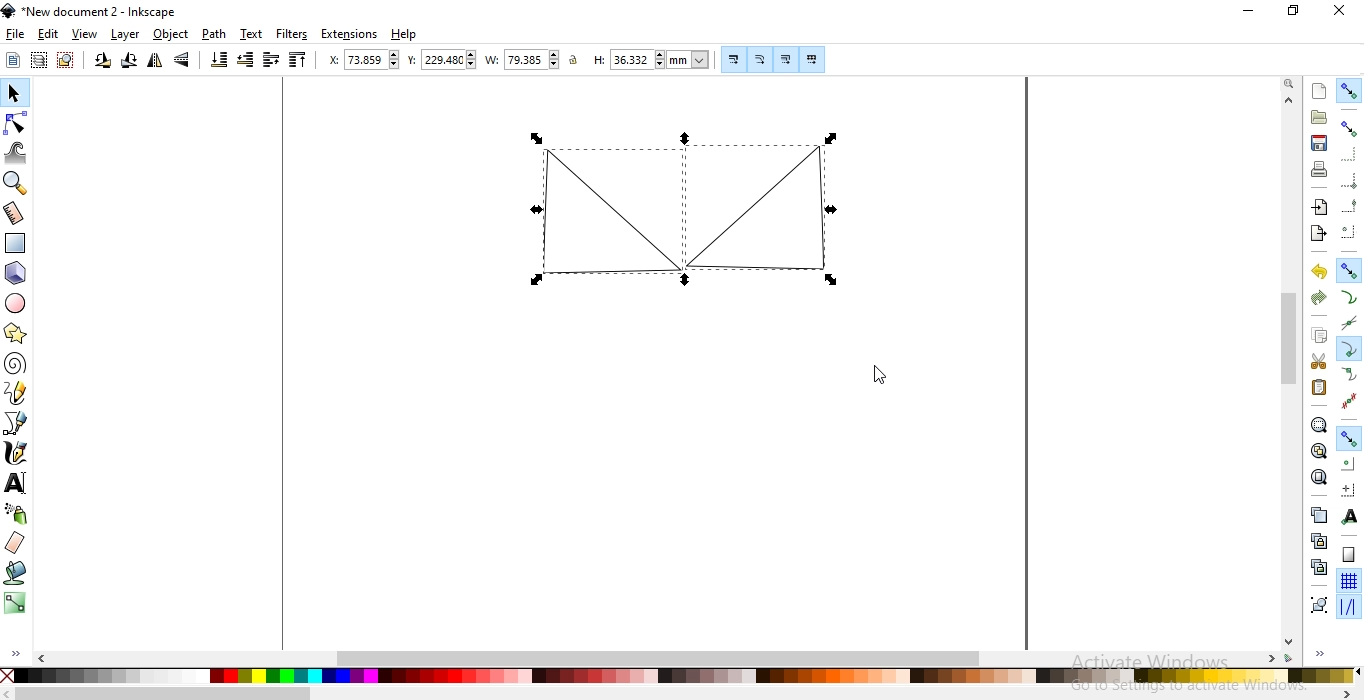  What do you see at coordinates (38, 62) in the screenshot?
I see `select all objects in al visible and unlocked layers` at bounding box center [38, 62].